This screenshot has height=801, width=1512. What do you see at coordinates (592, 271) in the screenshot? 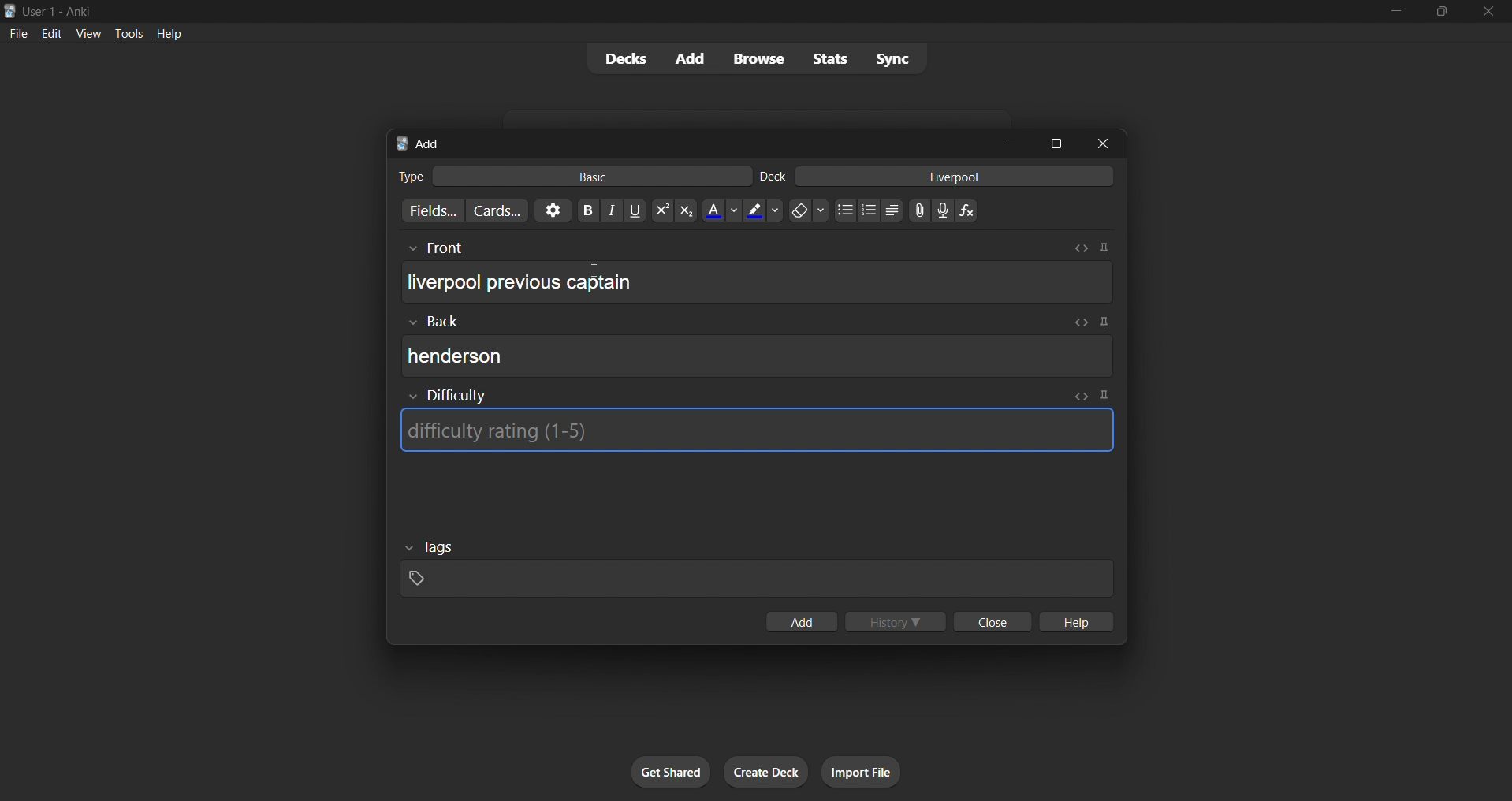
I see `cursor` at bounding box center [592, 271].